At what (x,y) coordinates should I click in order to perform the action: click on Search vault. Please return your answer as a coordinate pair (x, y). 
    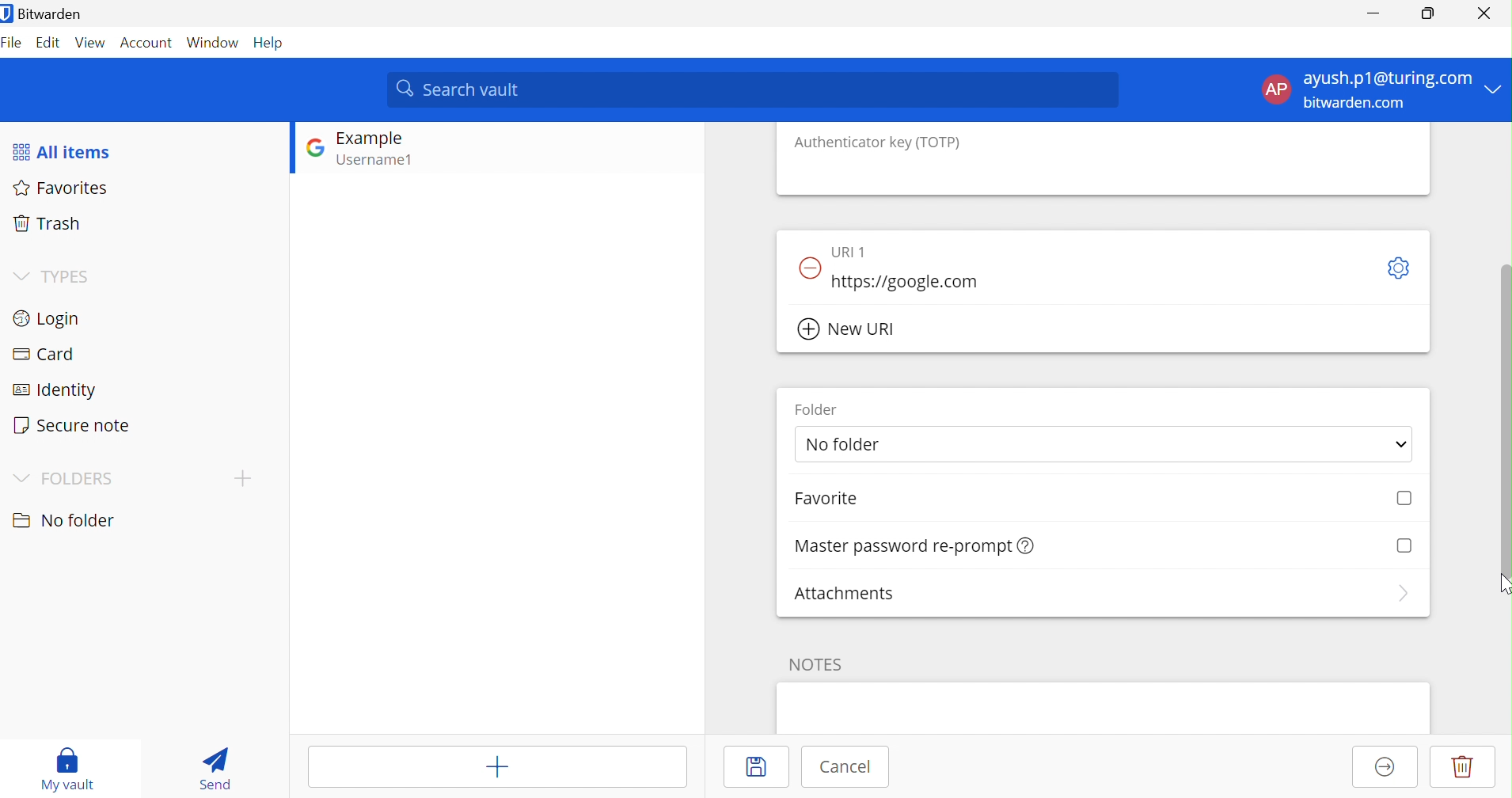
    Looking at the image, I should click on (754, 89).